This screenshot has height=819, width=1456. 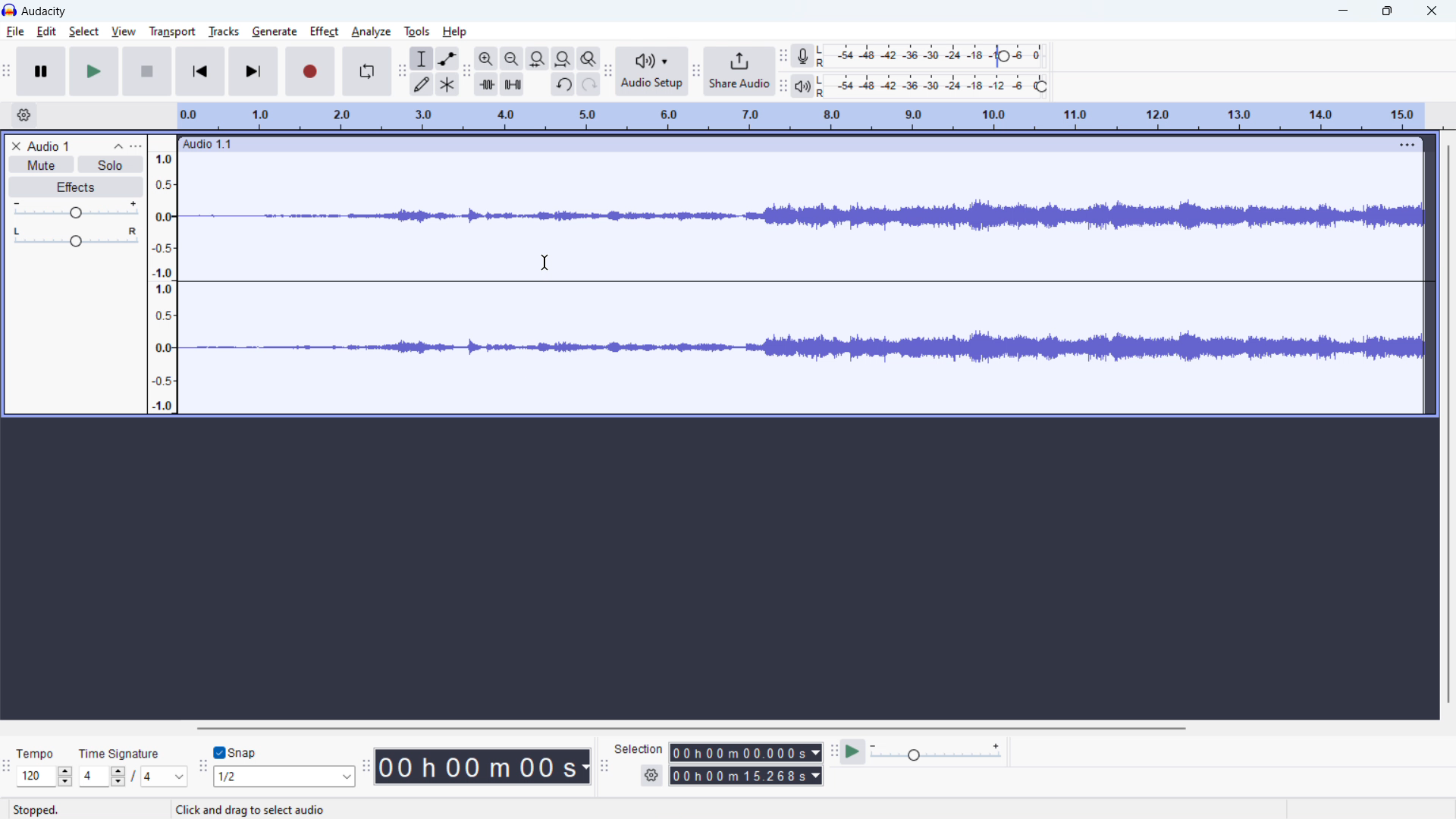 What do you see at coordinates (259, 808) in the screenshot?
I see `text` at bounding box center [259, 808].